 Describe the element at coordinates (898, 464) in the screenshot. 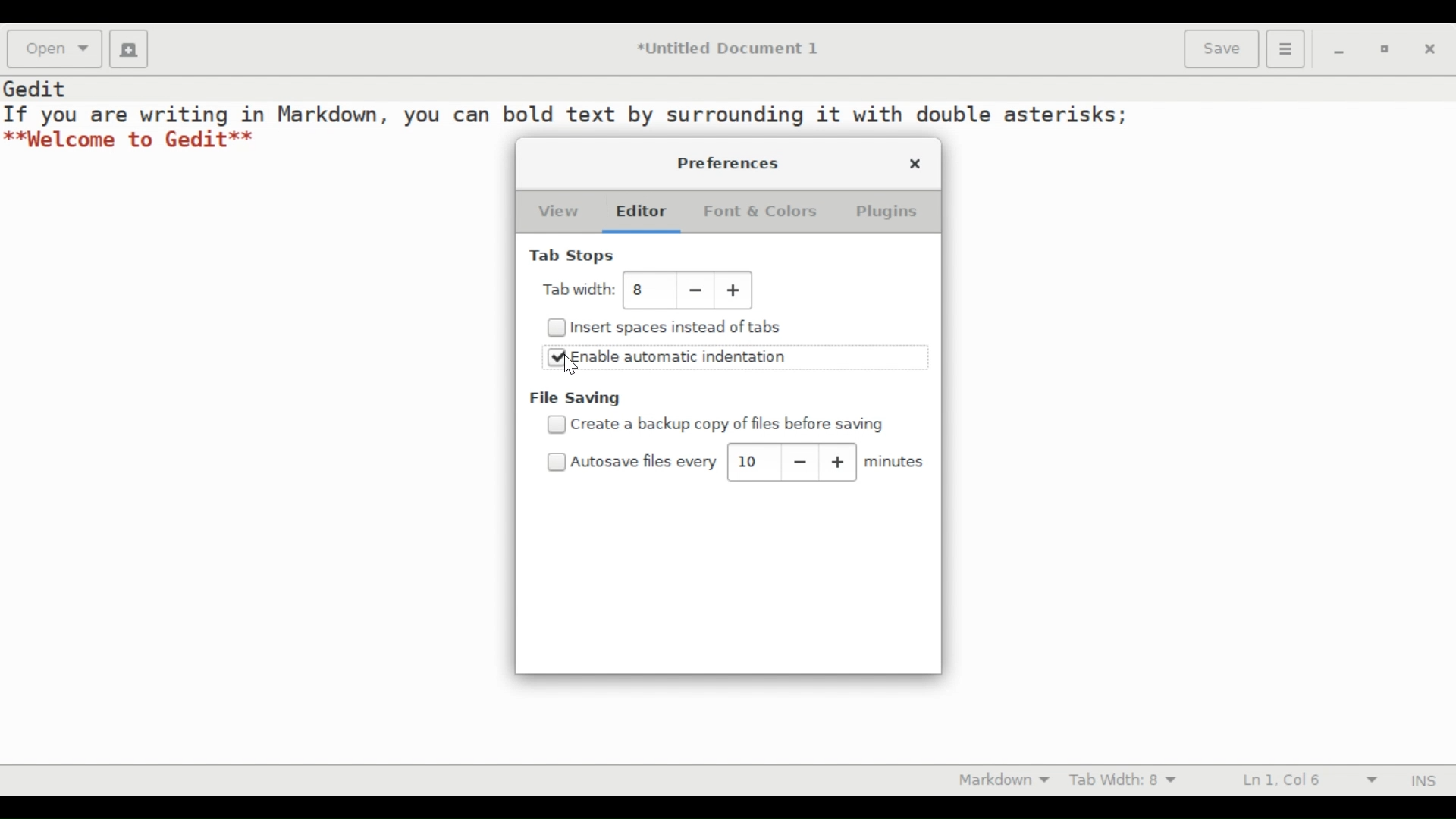

I see ` minutes` at that location.